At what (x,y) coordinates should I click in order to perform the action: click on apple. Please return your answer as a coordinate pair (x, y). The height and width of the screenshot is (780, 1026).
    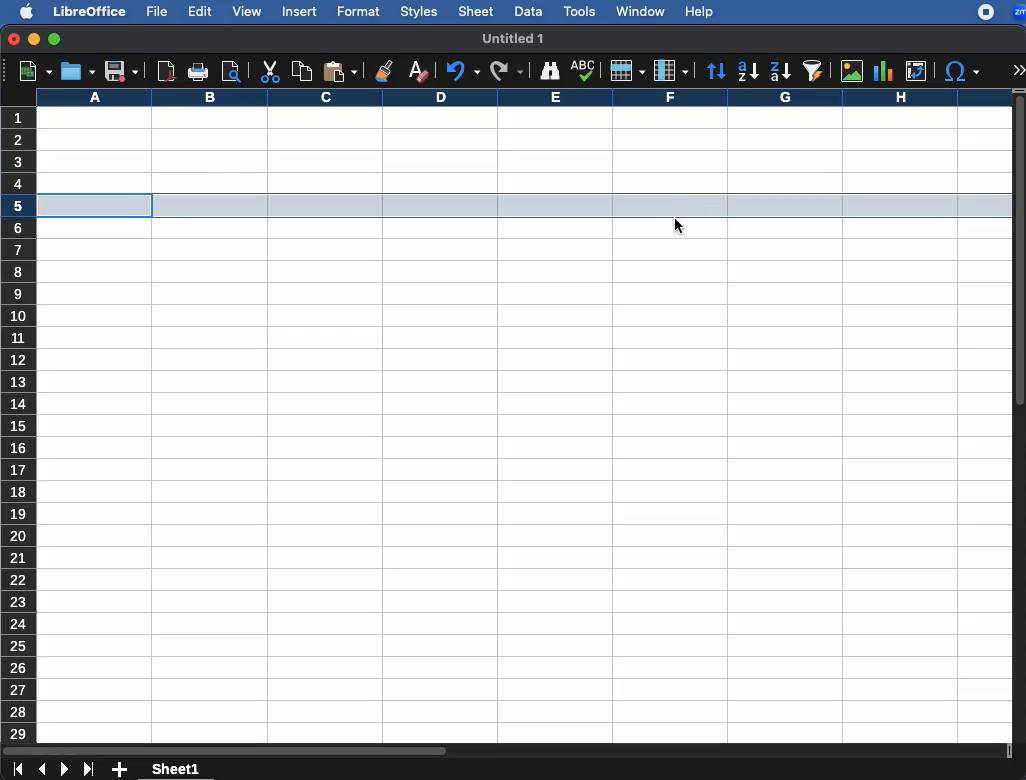
    Looking at the image, I should click on (24, 11).